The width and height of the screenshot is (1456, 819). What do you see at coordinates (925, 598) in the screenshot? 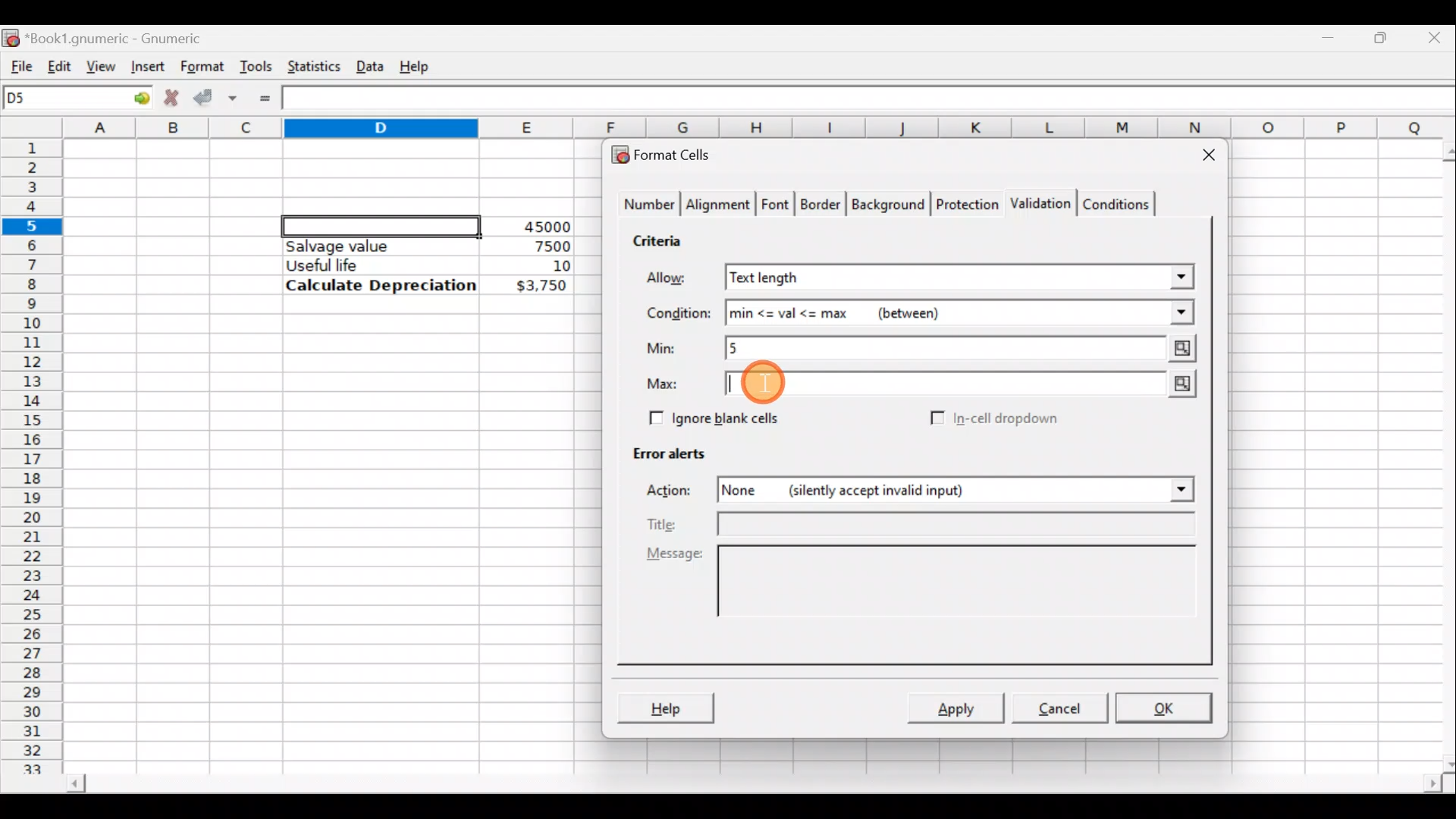
I see `Message` at bounding box center [925, 598].